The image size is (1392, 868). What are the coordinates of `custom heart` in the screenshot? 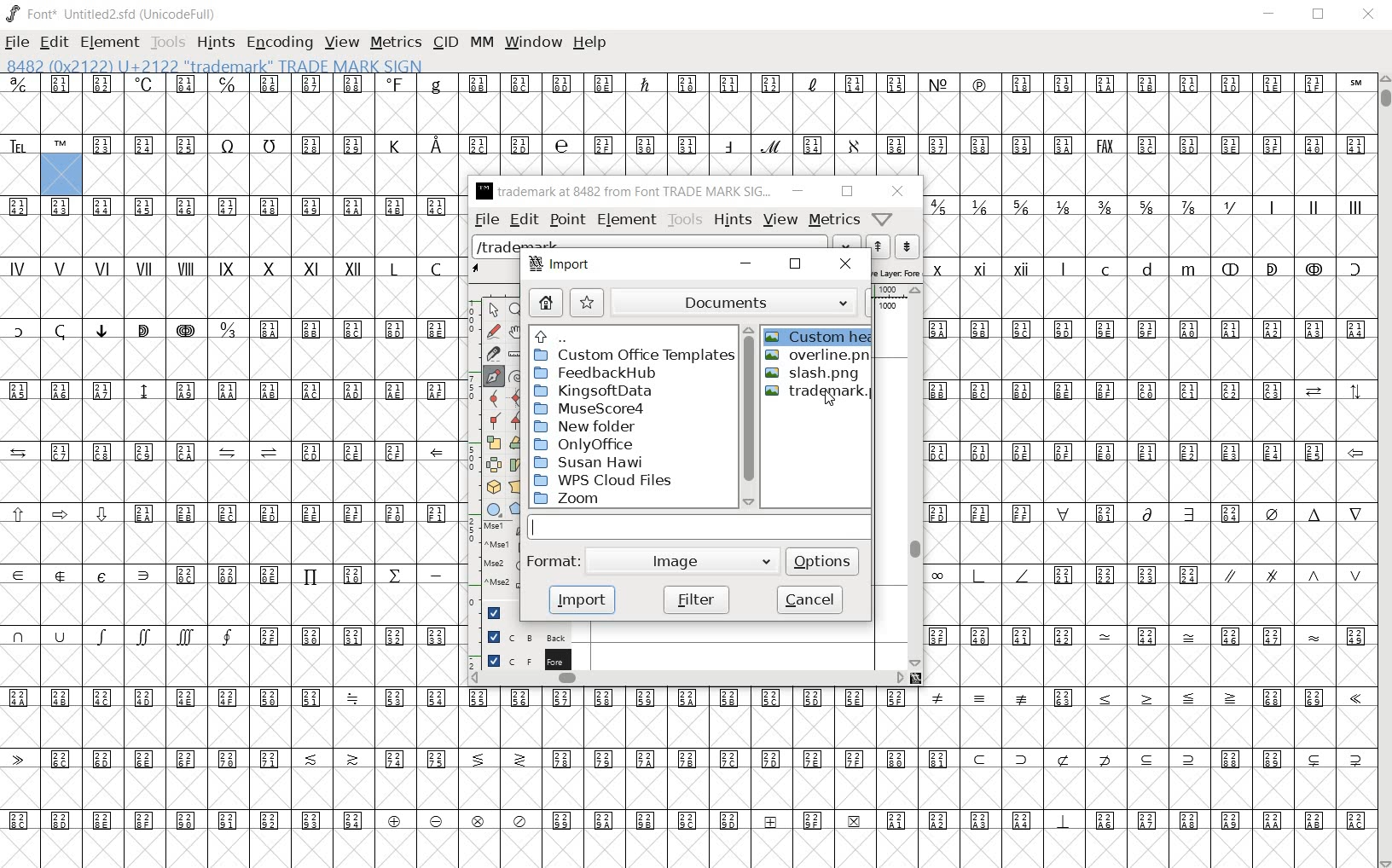 It's located at (817, 338).